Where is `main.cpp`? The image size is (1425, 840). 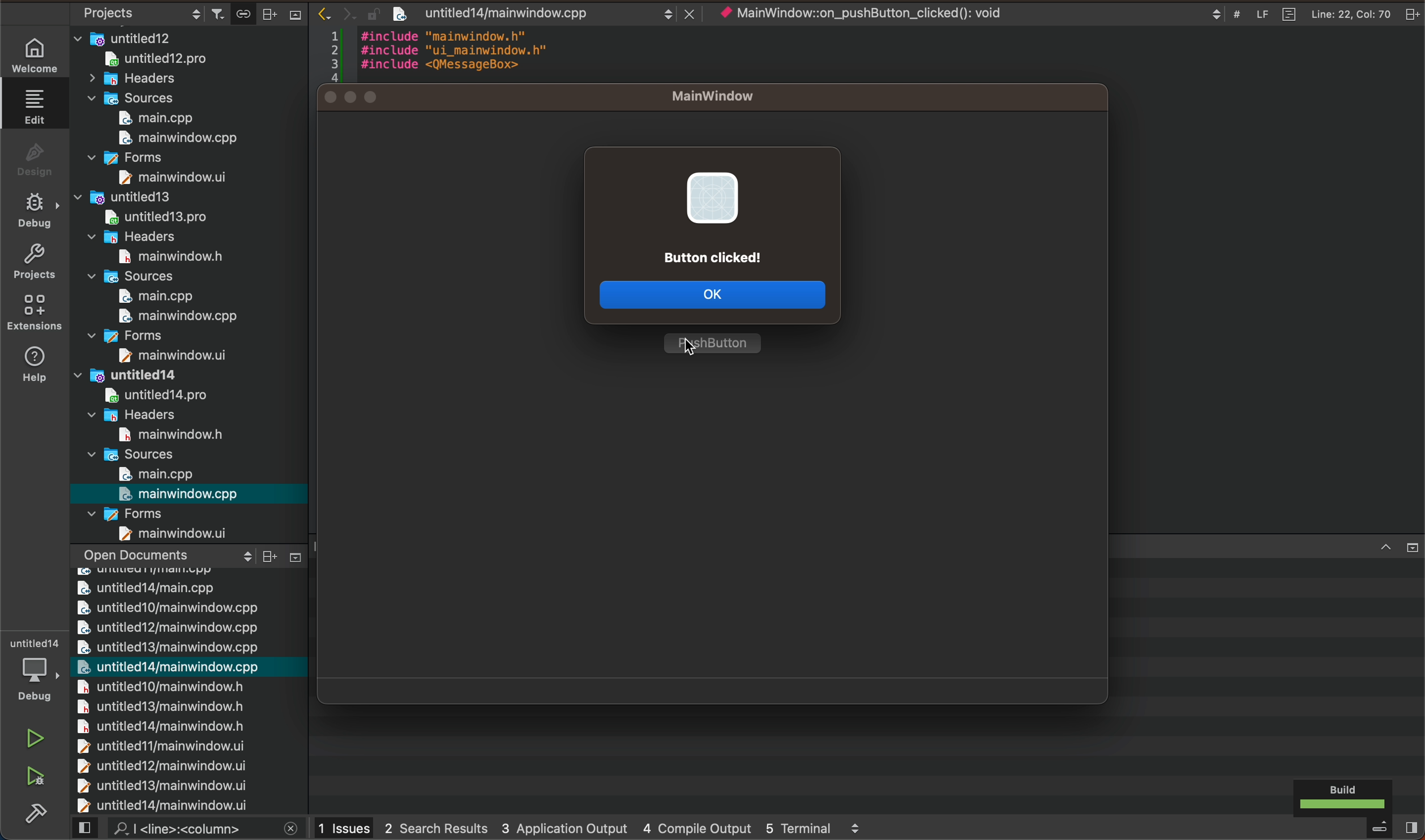 main.cpp is located at coordinates (153, 118).